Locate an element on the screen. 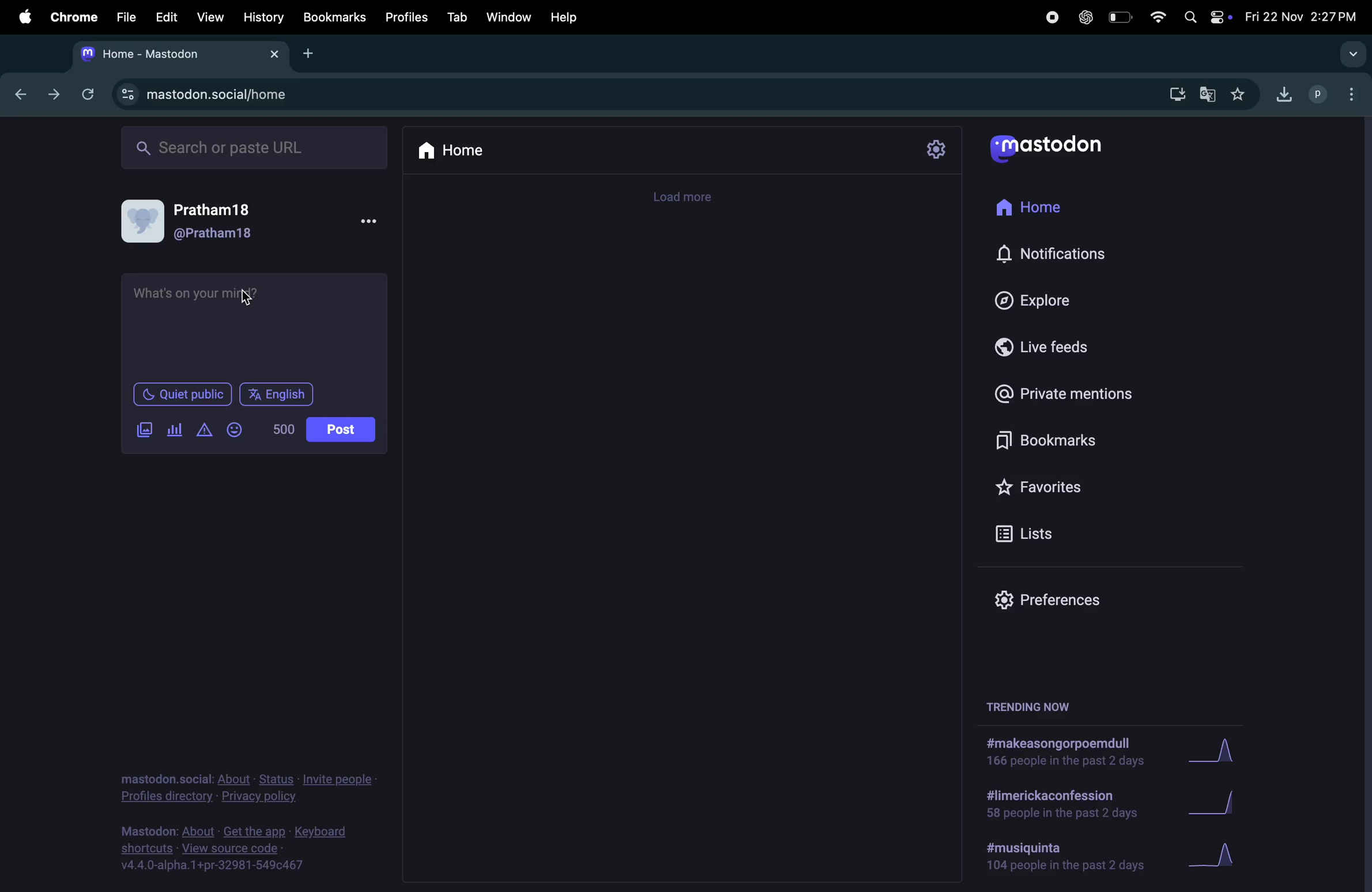 This screenshot has width=1372, height=892. view is located at coordinates (209, 16).